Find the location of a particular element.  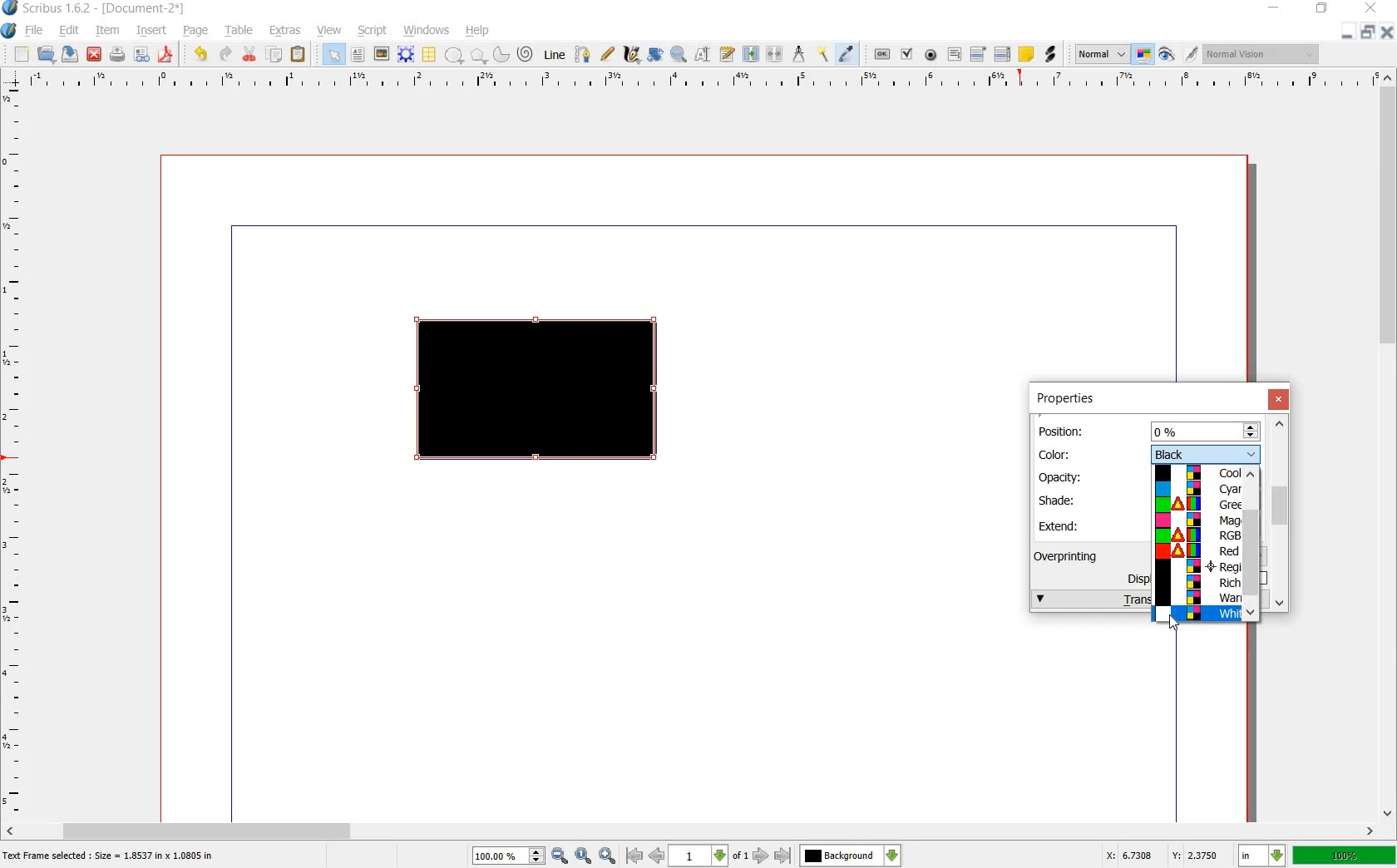

close is located at coordinates (96, 54).